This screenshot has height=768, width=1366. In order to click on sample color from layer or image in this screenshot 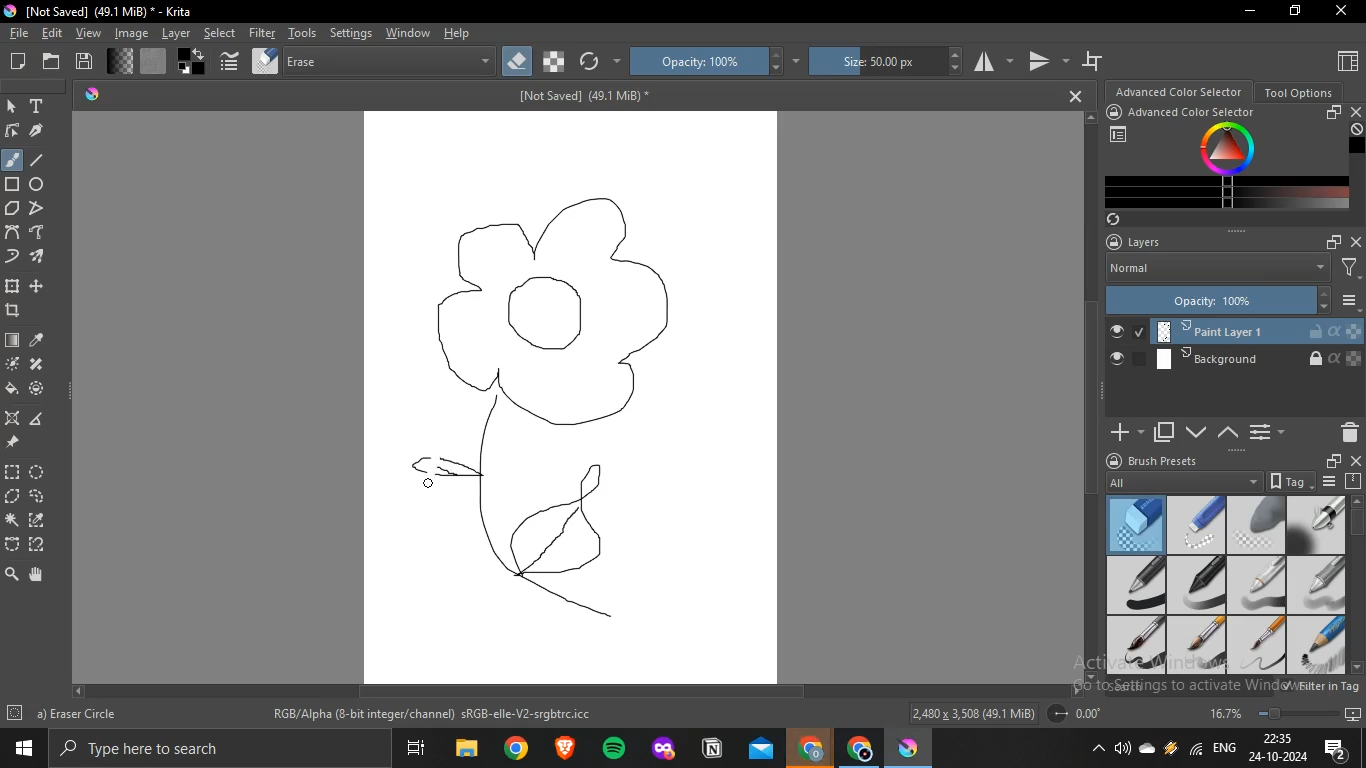, I will do `click(38, 341)`.